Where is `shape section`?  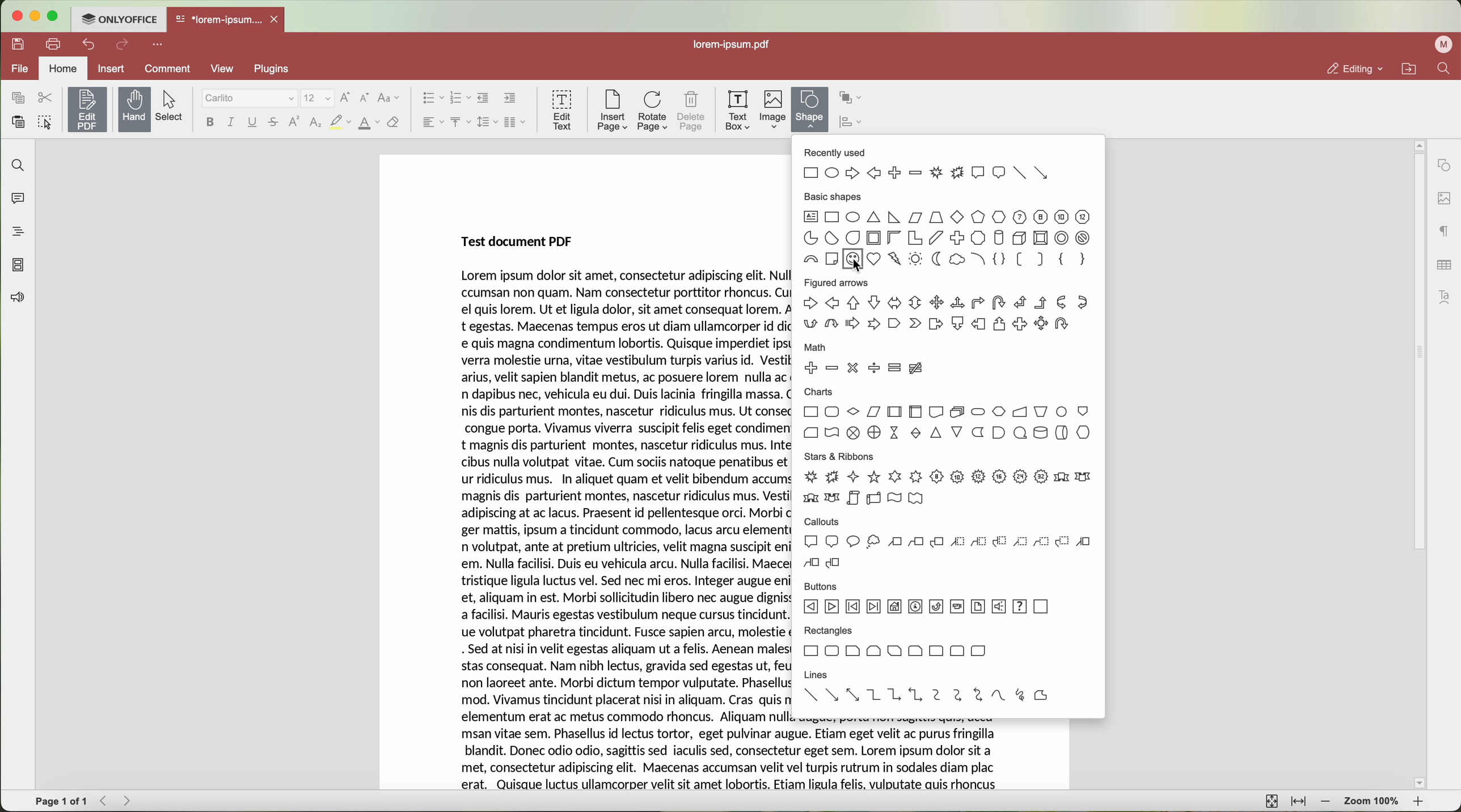
shape section is located at coordinates (810, 110).